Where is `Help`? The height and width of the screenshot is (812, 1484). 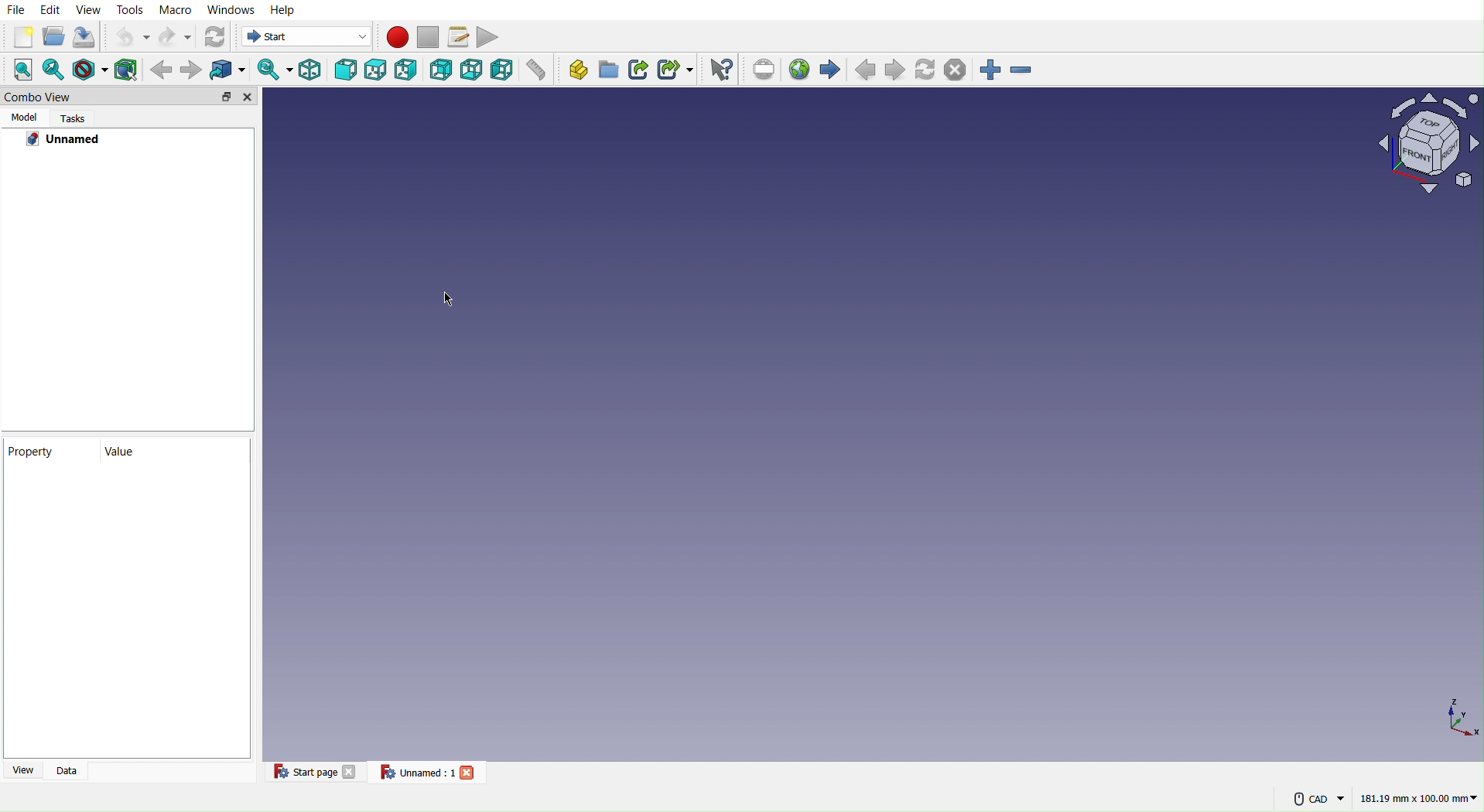 Help is located at coordinates (283, 10).